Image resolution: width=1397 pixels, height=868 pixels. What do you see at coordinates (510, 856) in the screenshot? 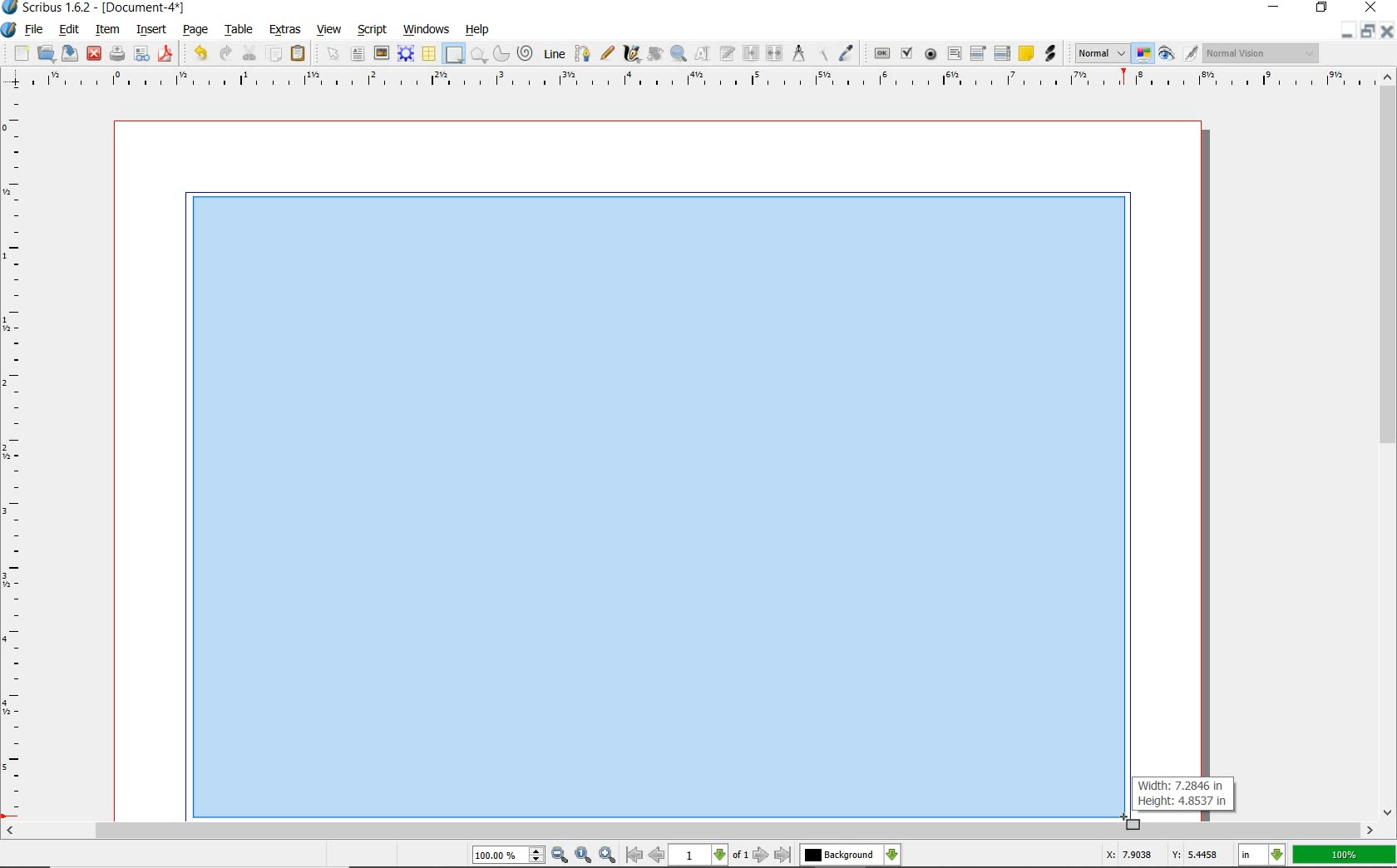
I see `100.00%` at bounding box center [510, 856].